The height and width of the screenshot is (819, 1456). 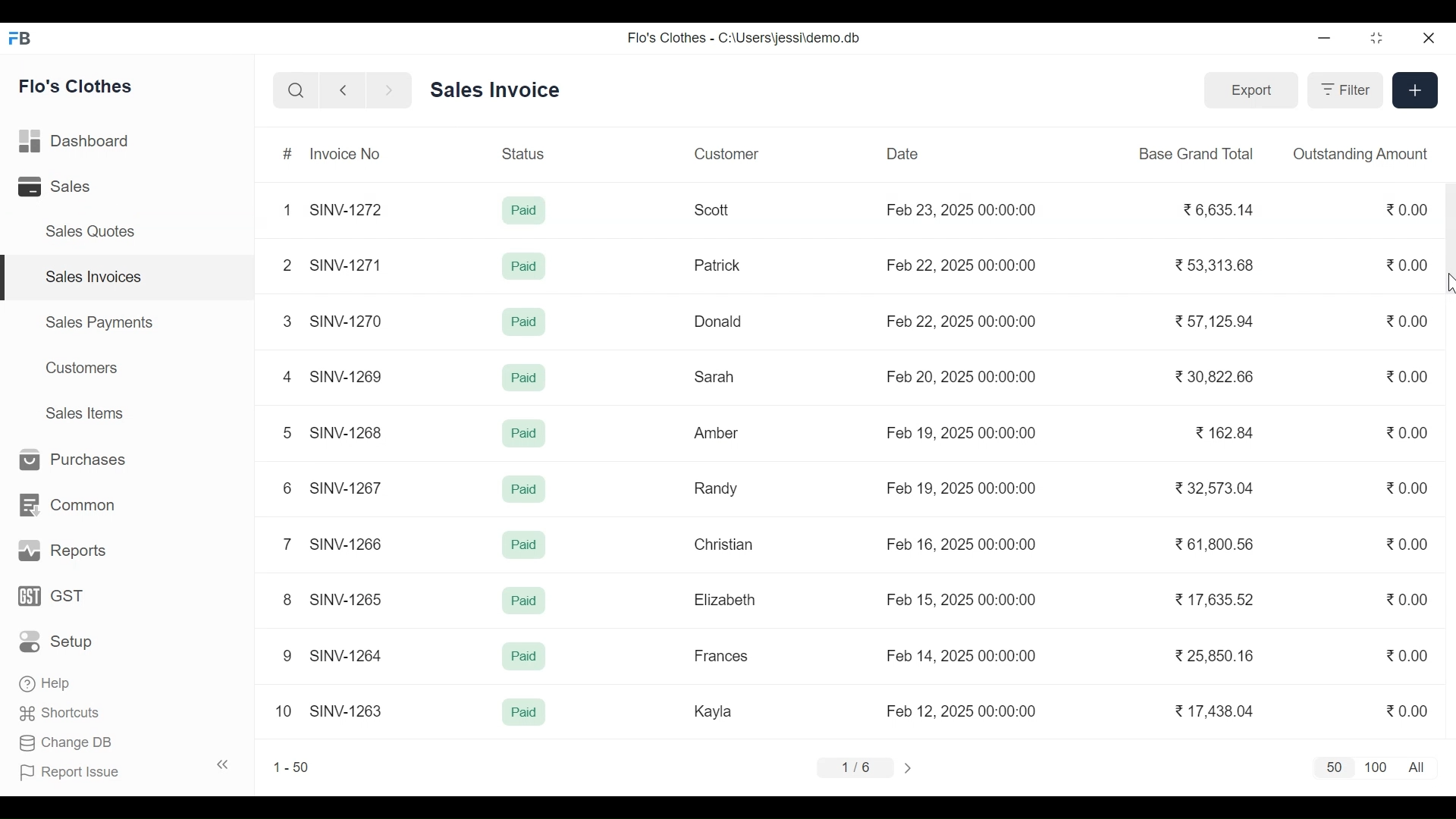 What do you see at coordinates (291, 767) in the screenshot?
I see `1-50` at bounding box center [291, 767].